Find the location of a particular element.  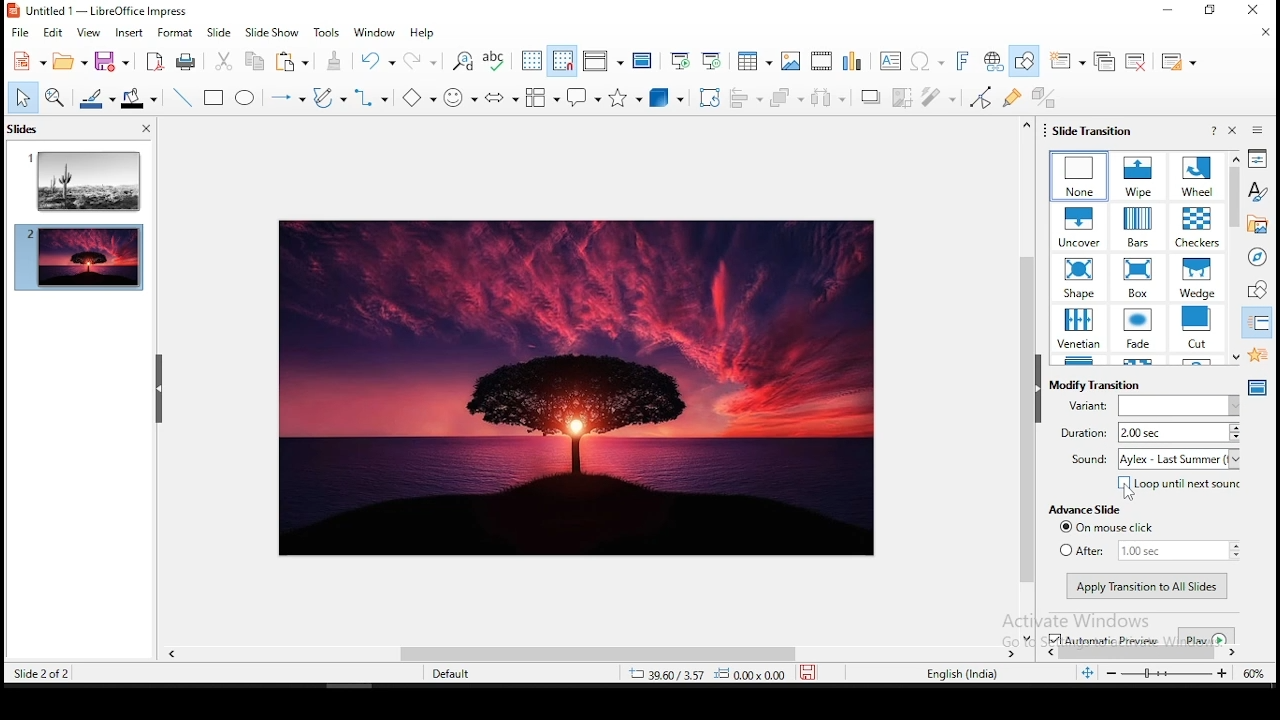

fit to width is located at coordinates (1086, 675).